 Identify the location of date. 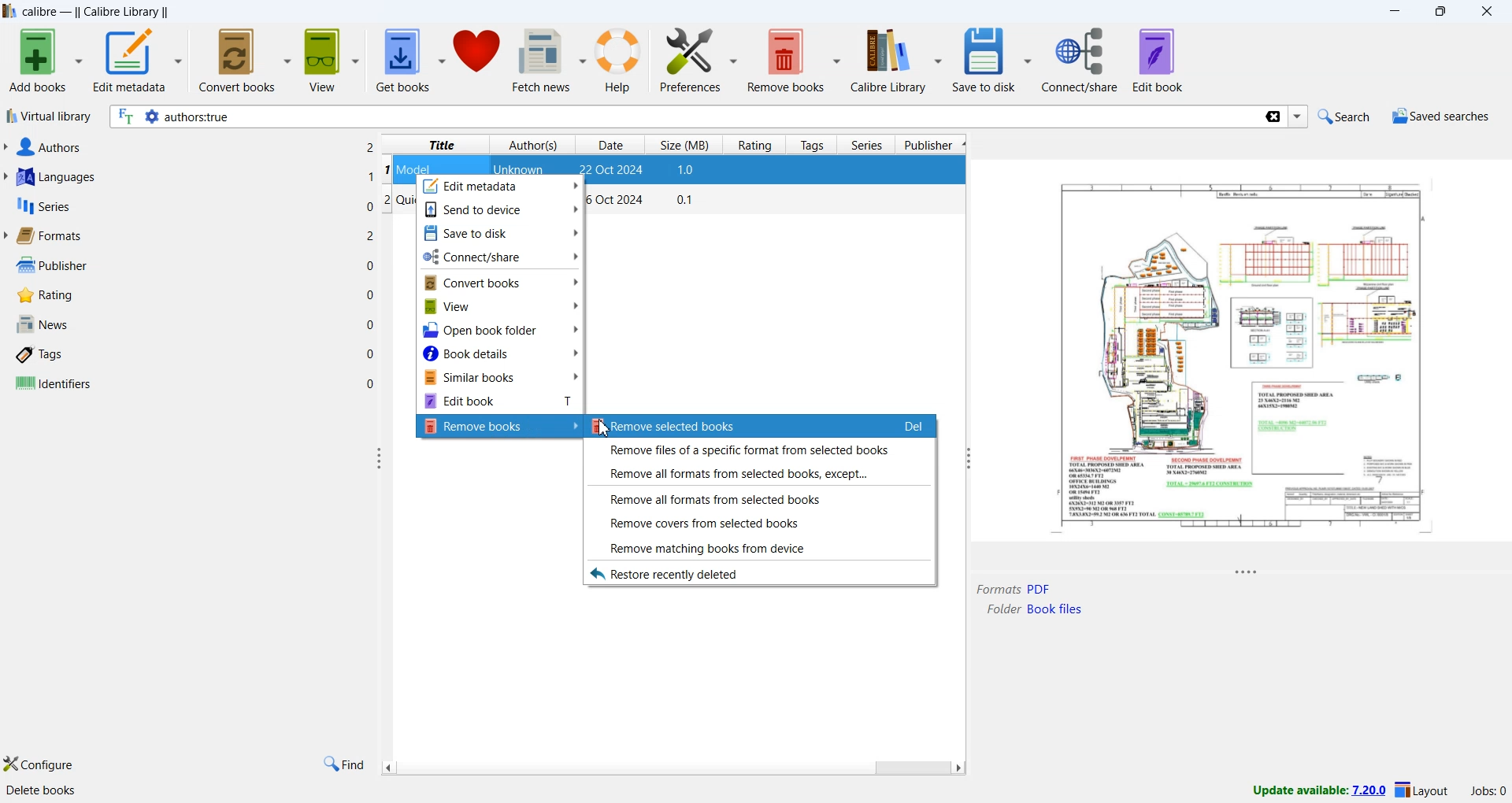
(613, 169).